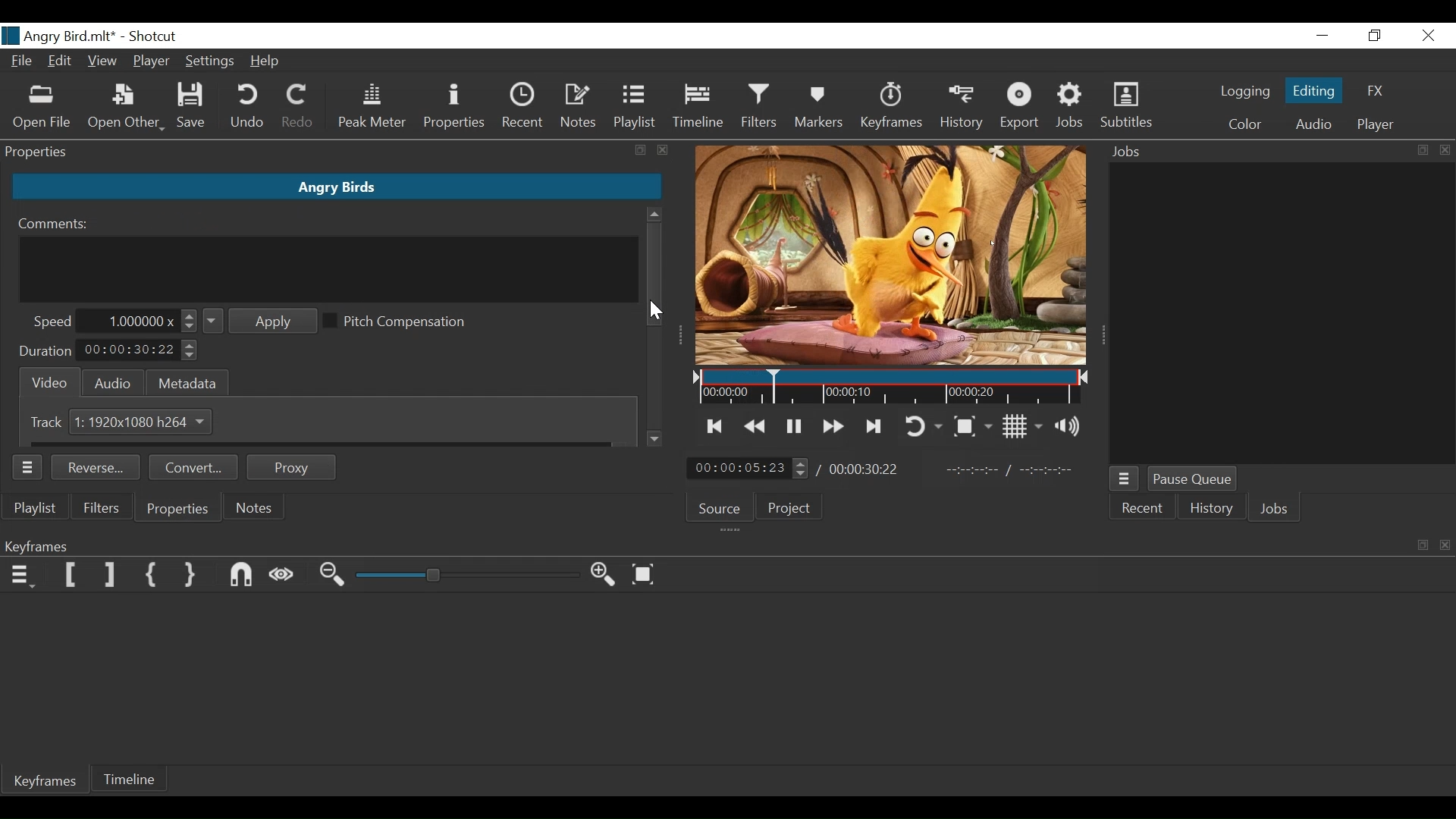 This screenshot has width=1456, height=819. What do you see at coordinates (1144, 510) in the screenshot?
I see `Recent` at bounding box center [1144, 510].